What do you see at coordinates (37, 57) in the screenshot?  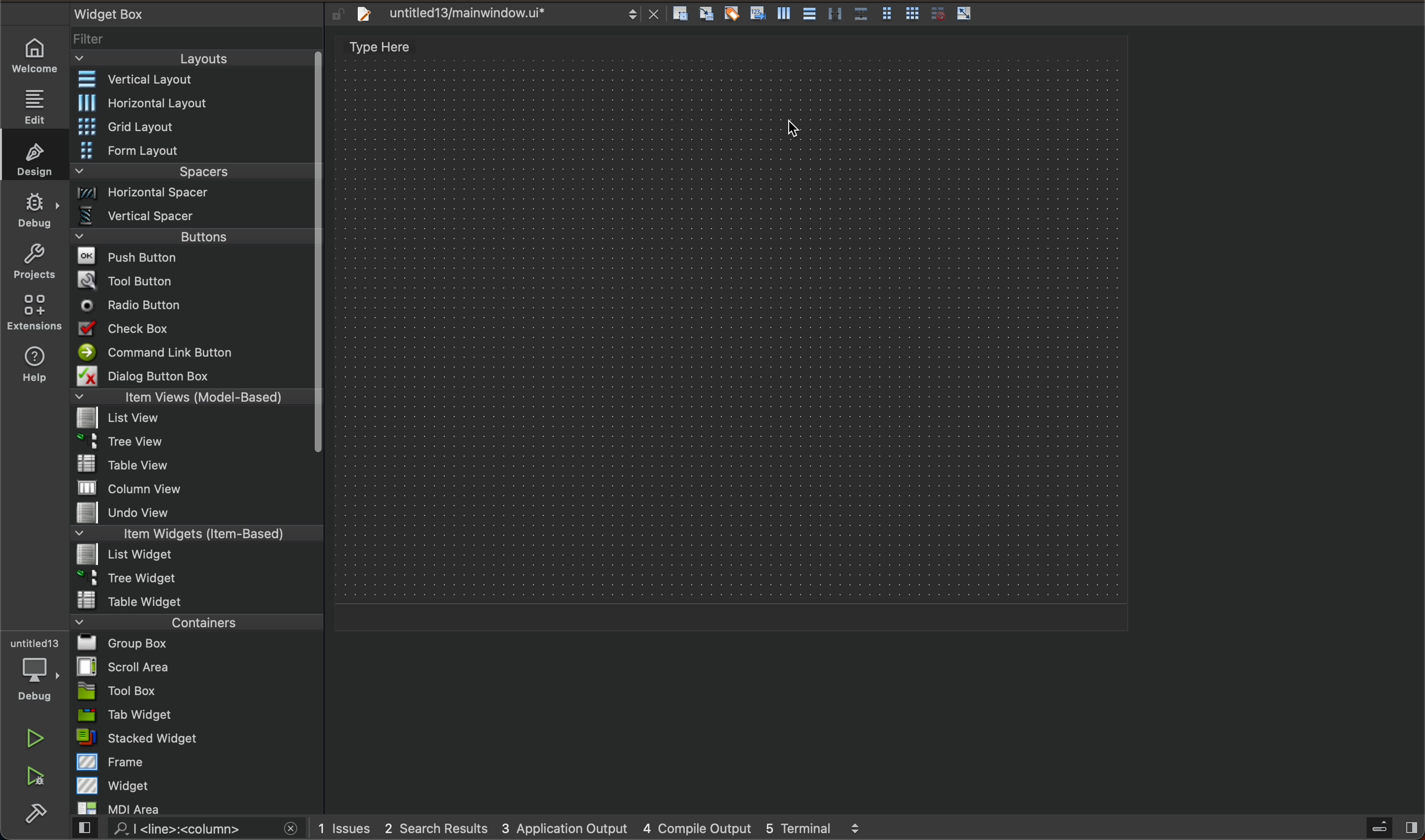 I see `home` at bounding box center [37, 57].